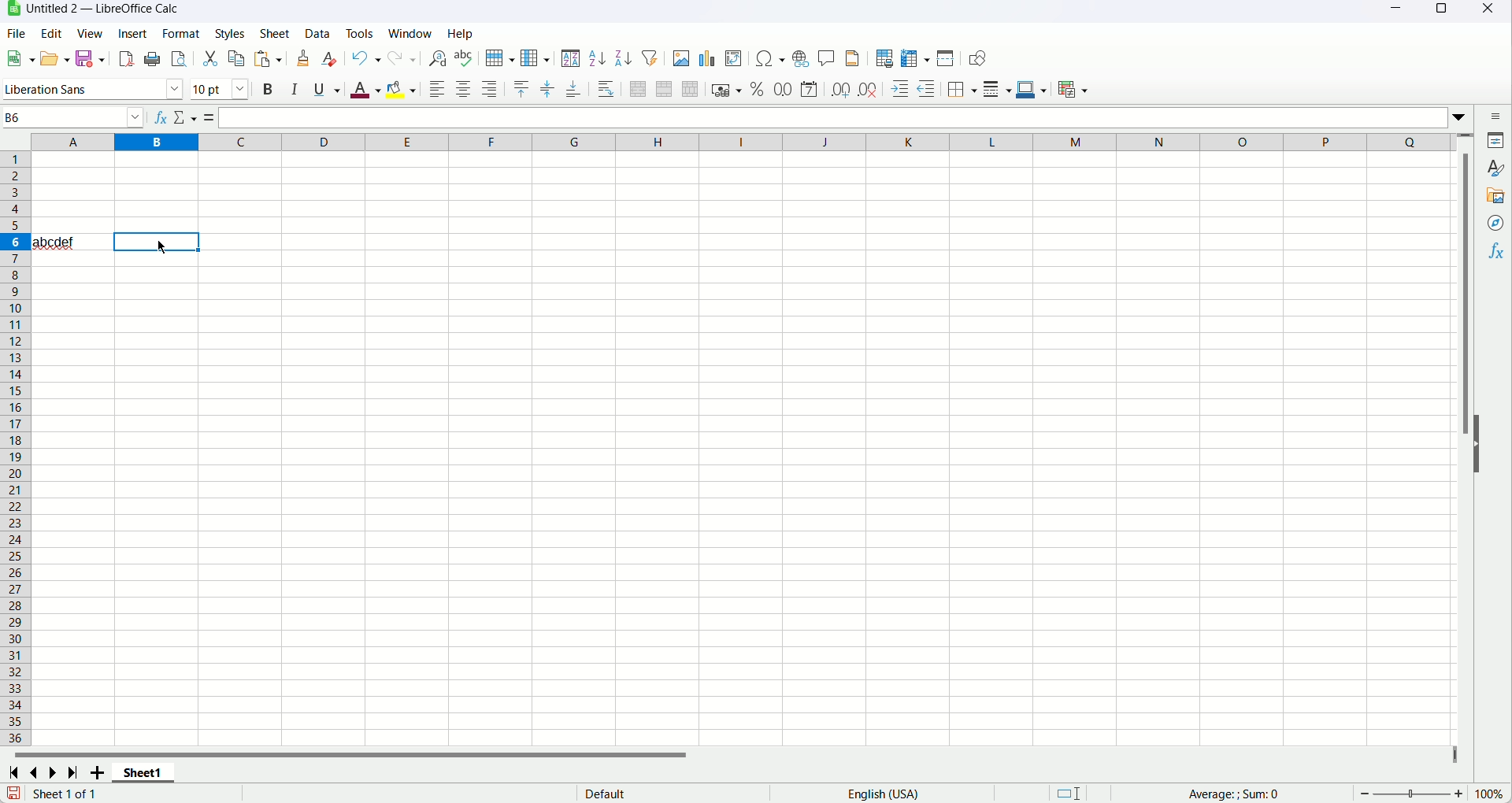 This screenshot has width=1512, height=803. I want to click on save, so click(14, 793).